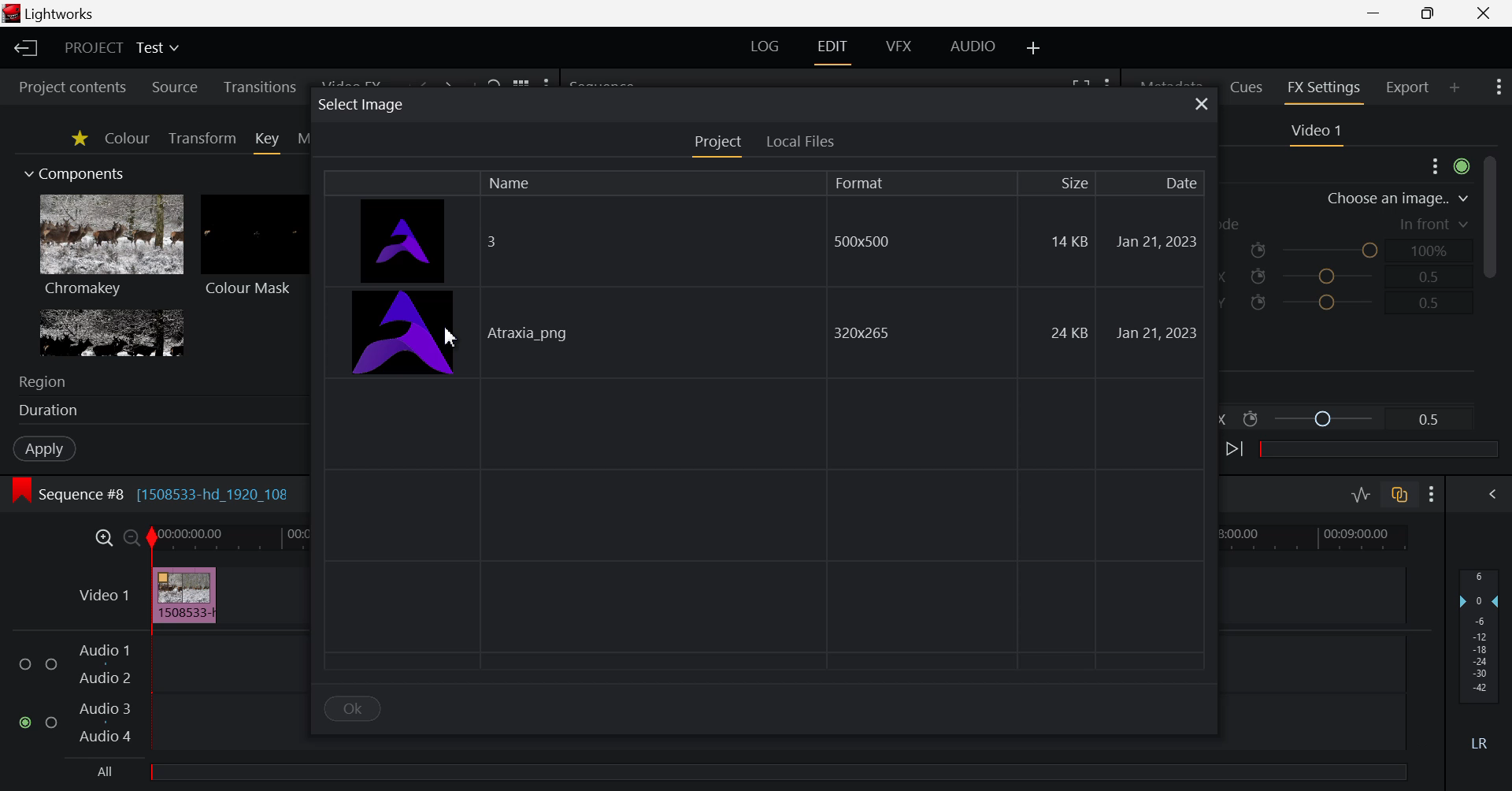  Describe the element at coordinates (404, 240) in the screenshot. I see `image` at that location.